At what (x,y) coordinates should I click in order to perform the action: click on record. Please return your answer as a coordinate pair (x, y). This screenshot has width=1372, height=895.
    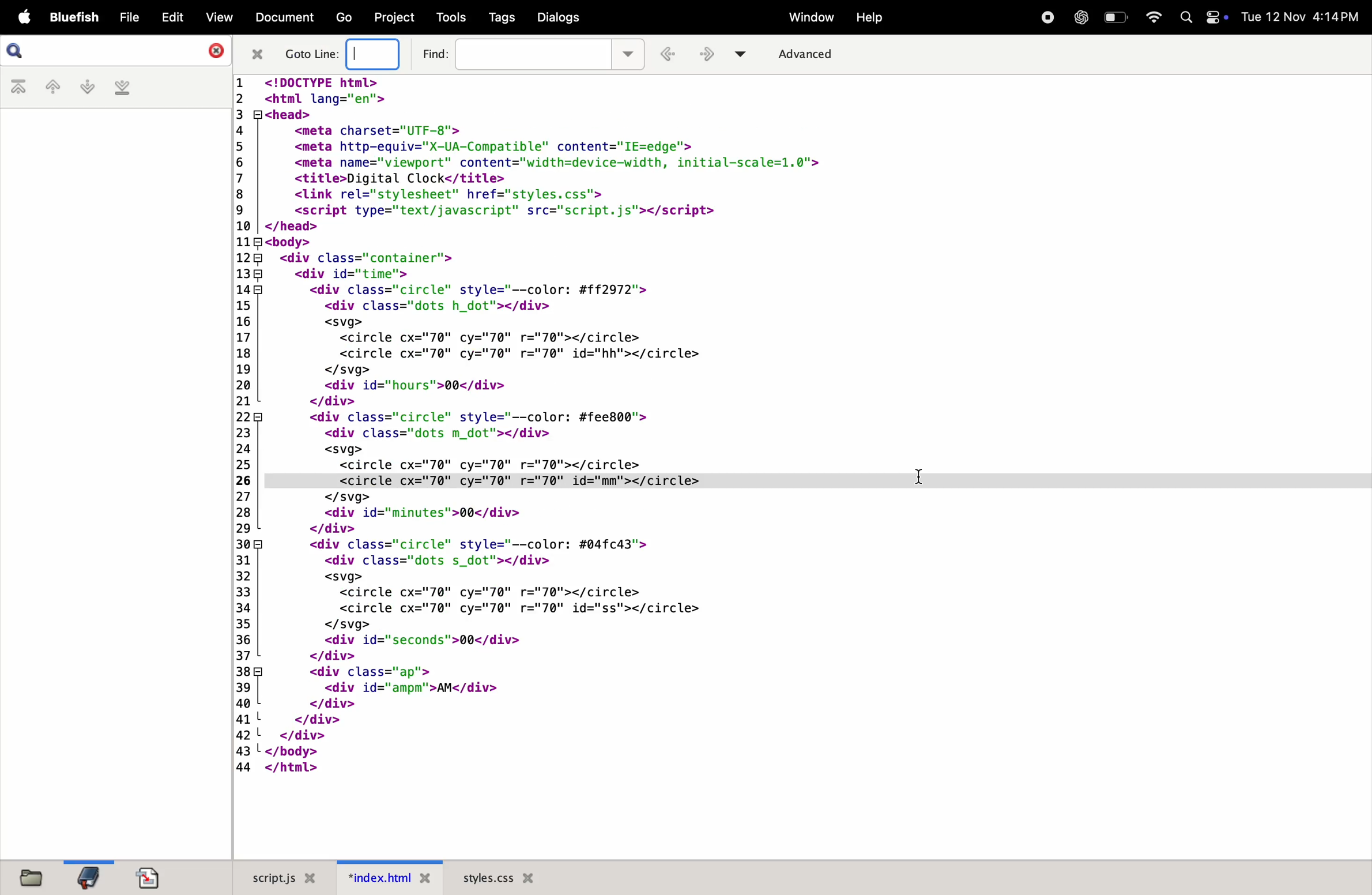
    Looking at the image, I should click on (1046, 18).